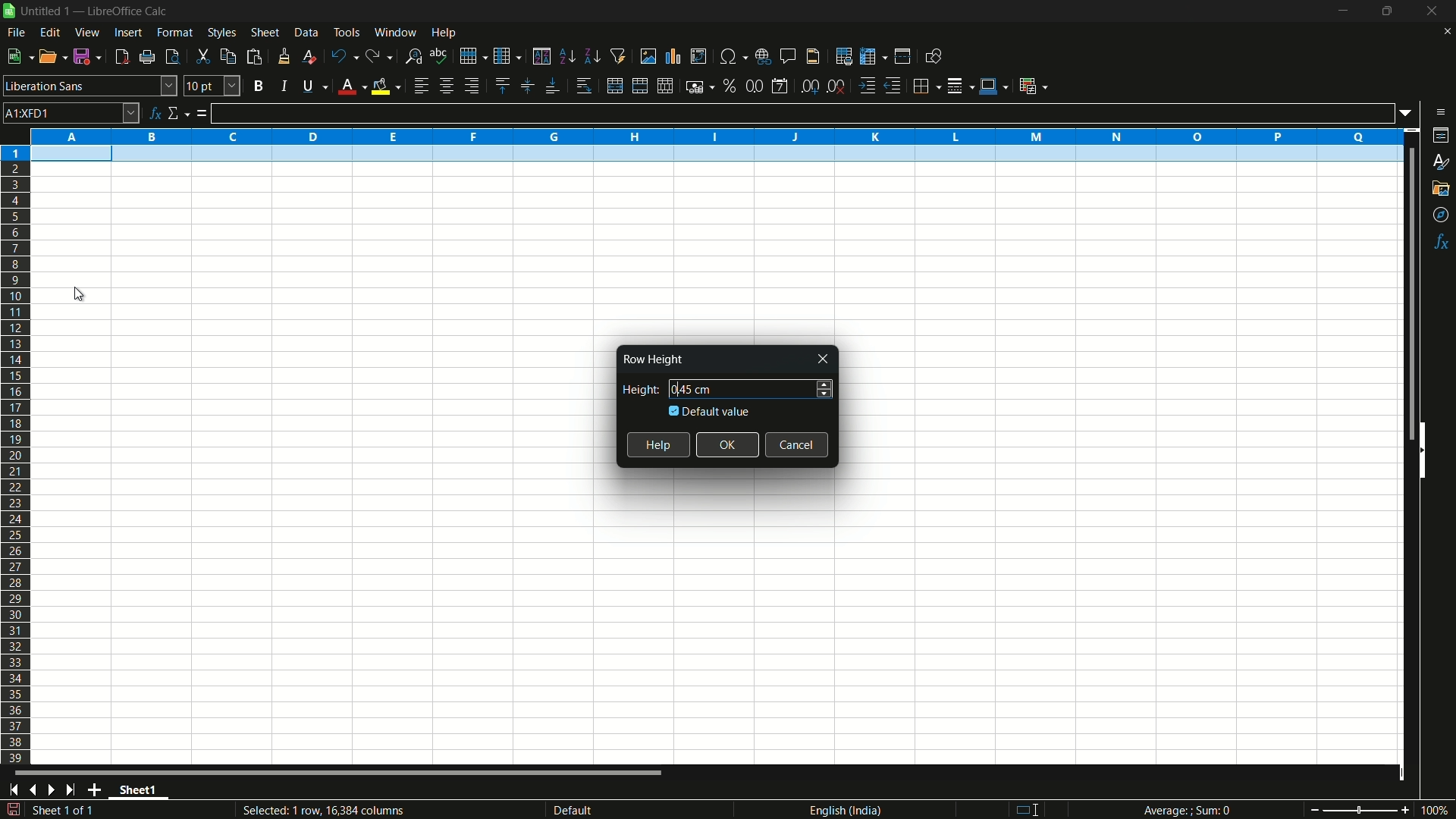 The height and width of the screenshot is (819, 1456). I want to click on unmerge cells, so click(666, 86).